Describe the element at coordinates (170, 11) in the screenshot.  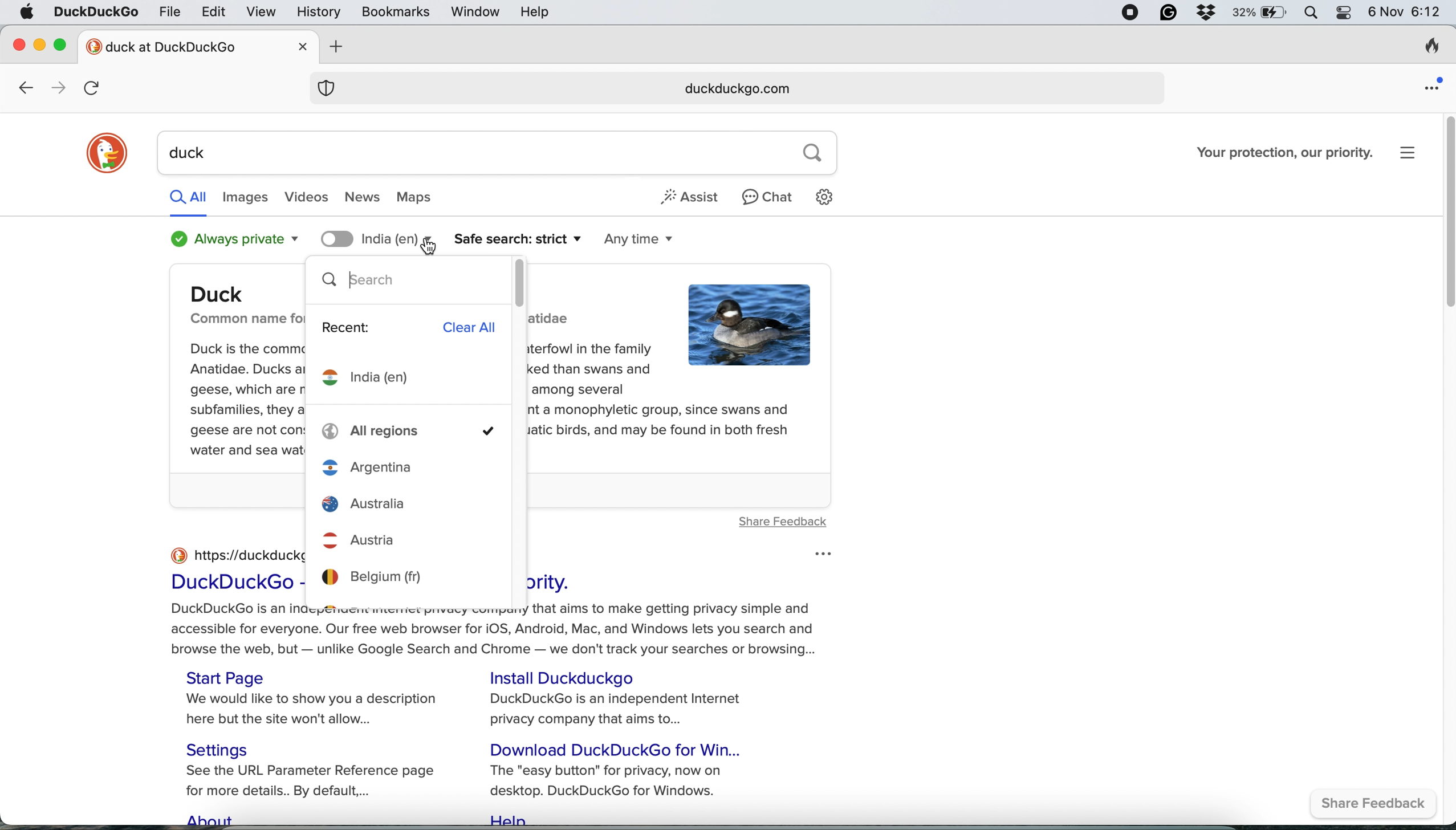
I see `file` at that location.